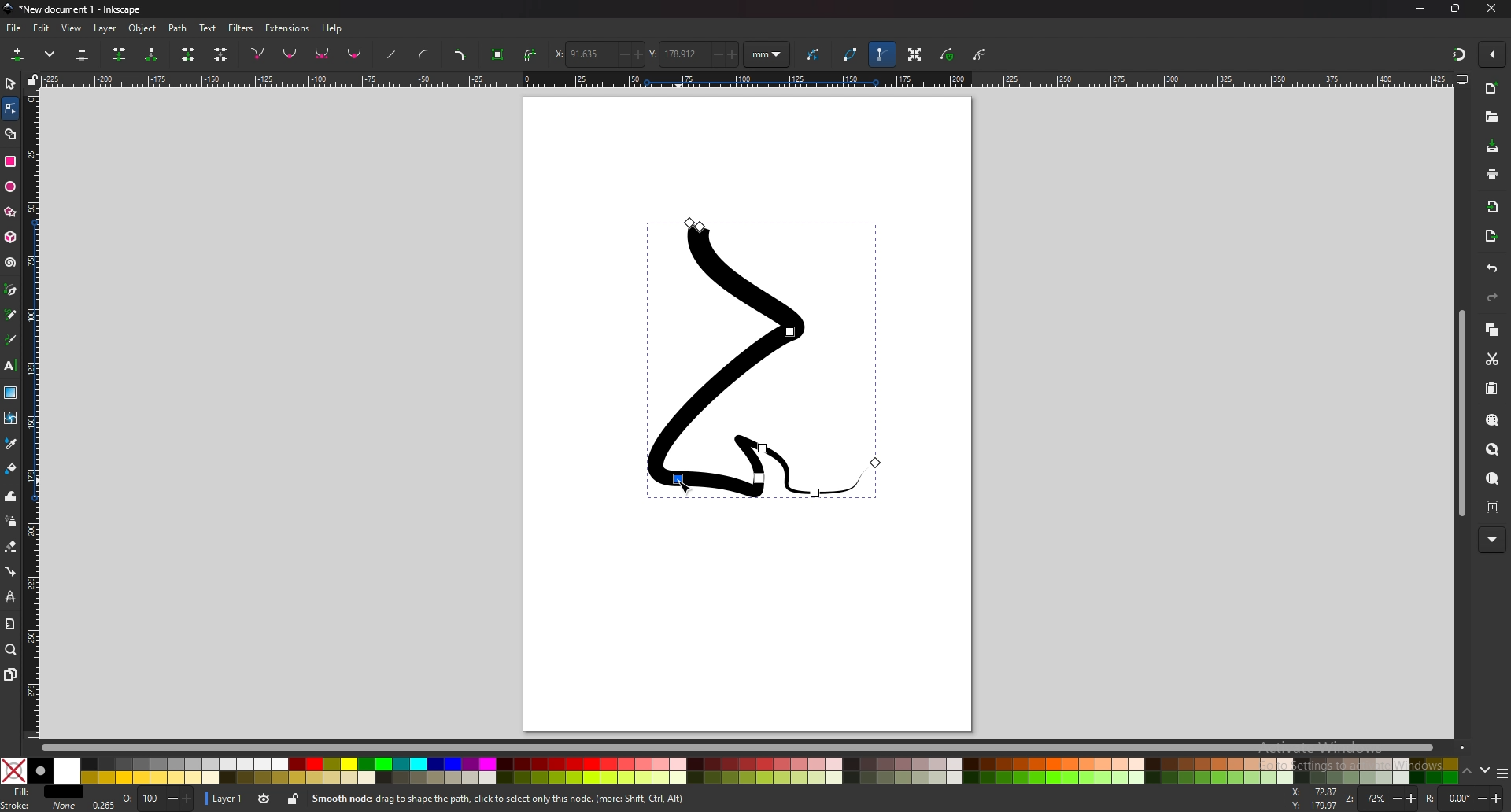 This screenshot has height=812, width=1511. What do you see at coordinates (10, 469) in the screenshot?
I see `paint bucket` at bounding box center [10, 469].